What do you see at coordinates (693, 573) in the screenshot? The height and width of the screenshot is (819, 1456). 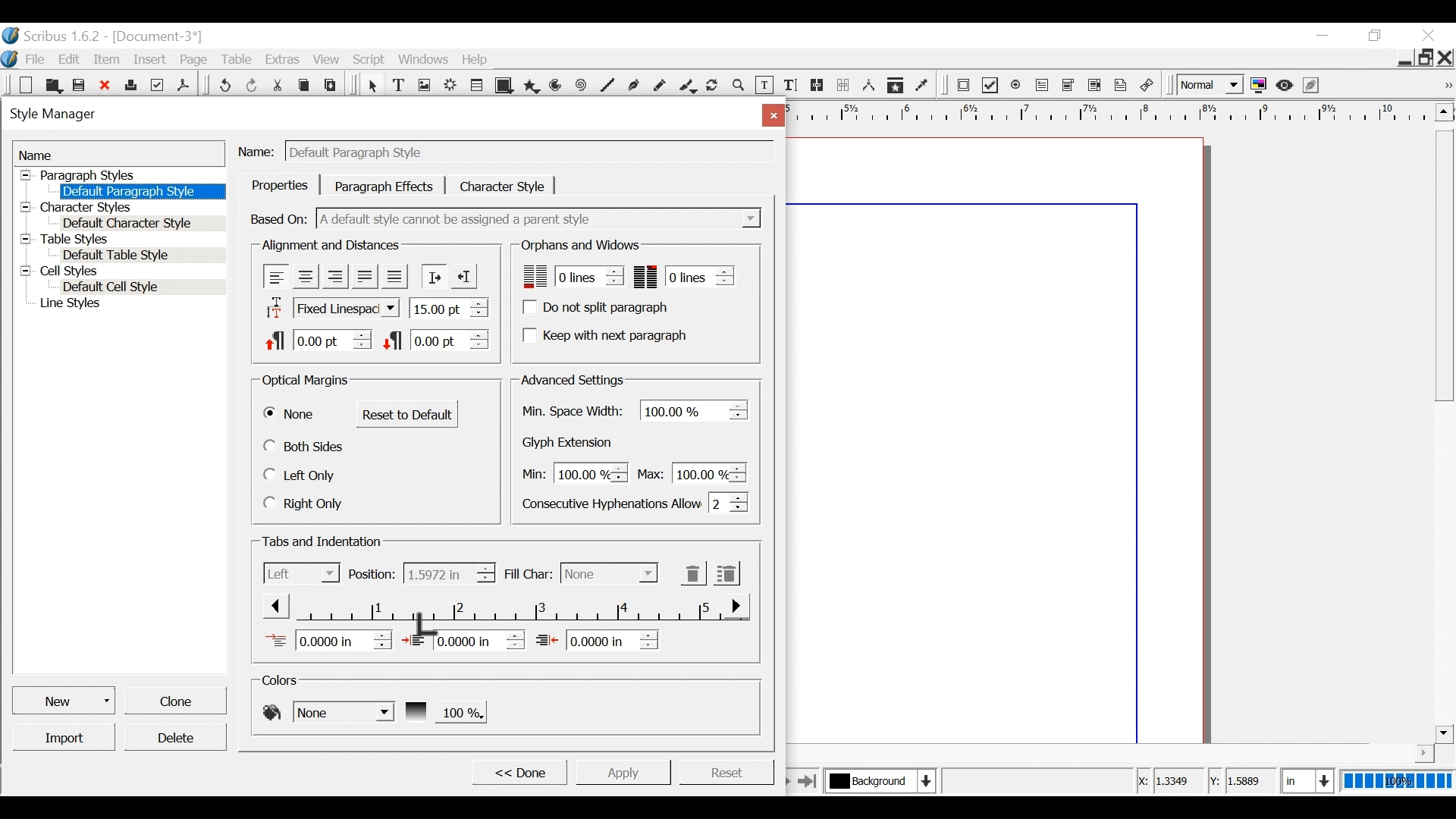 I see `Delete Selected tabular` at bounding box center [693, 573].